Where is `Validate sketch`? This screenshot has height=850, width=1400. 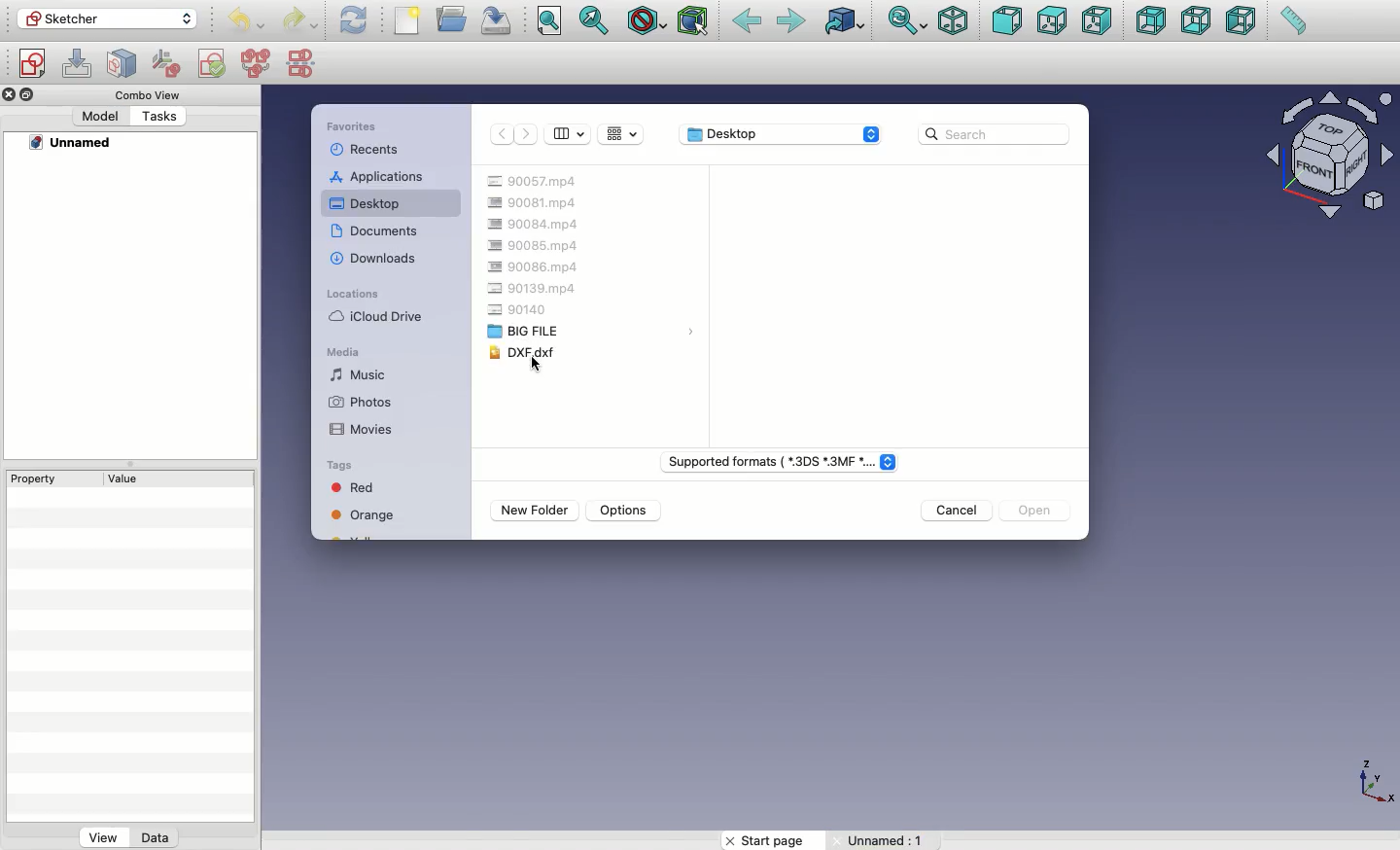 Validate sketch is located at coordinates (212, 66).